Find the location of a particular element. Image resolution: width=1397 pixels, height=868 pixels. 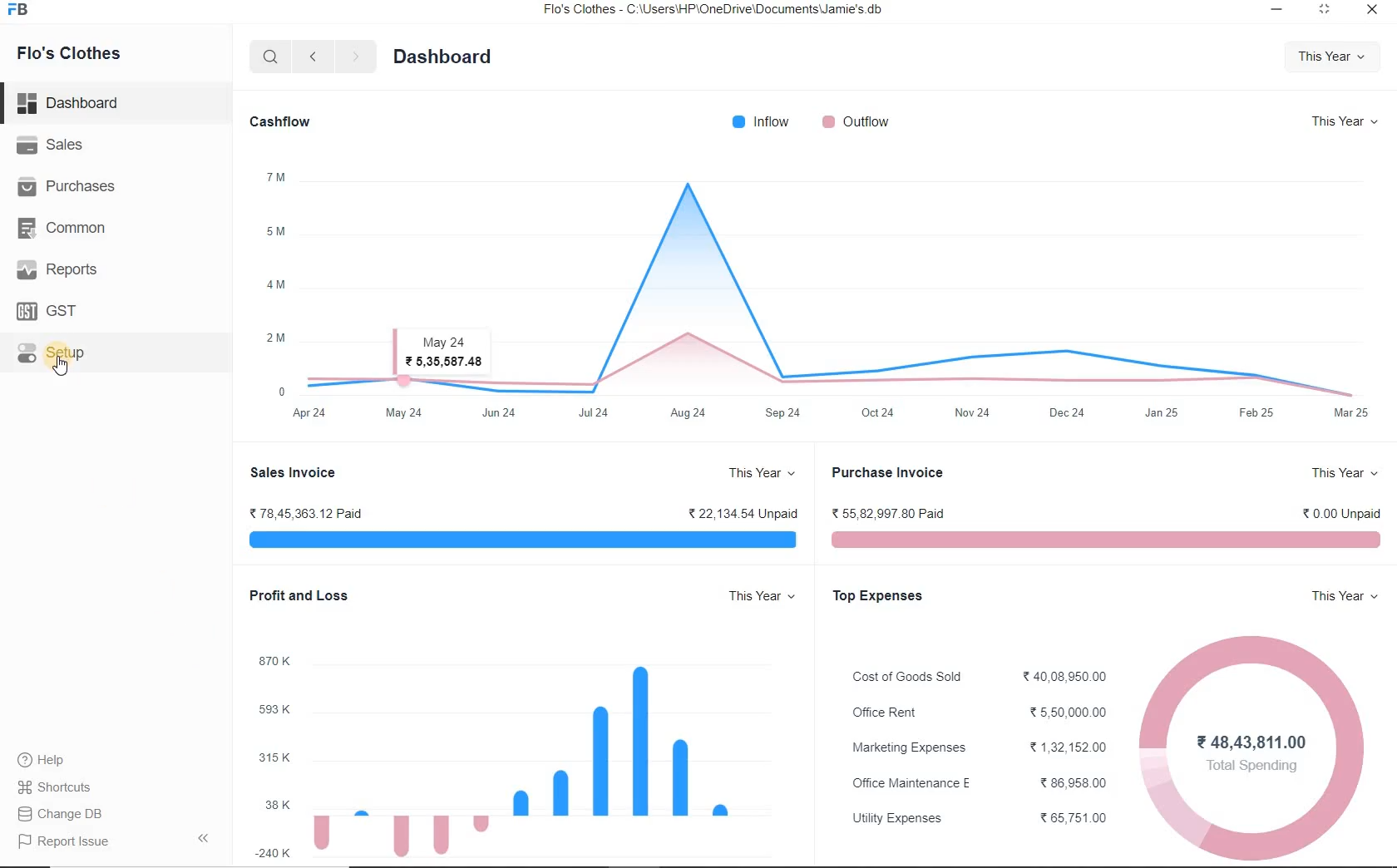

0.00 Unpaid is located at coordinates (1345, 512).